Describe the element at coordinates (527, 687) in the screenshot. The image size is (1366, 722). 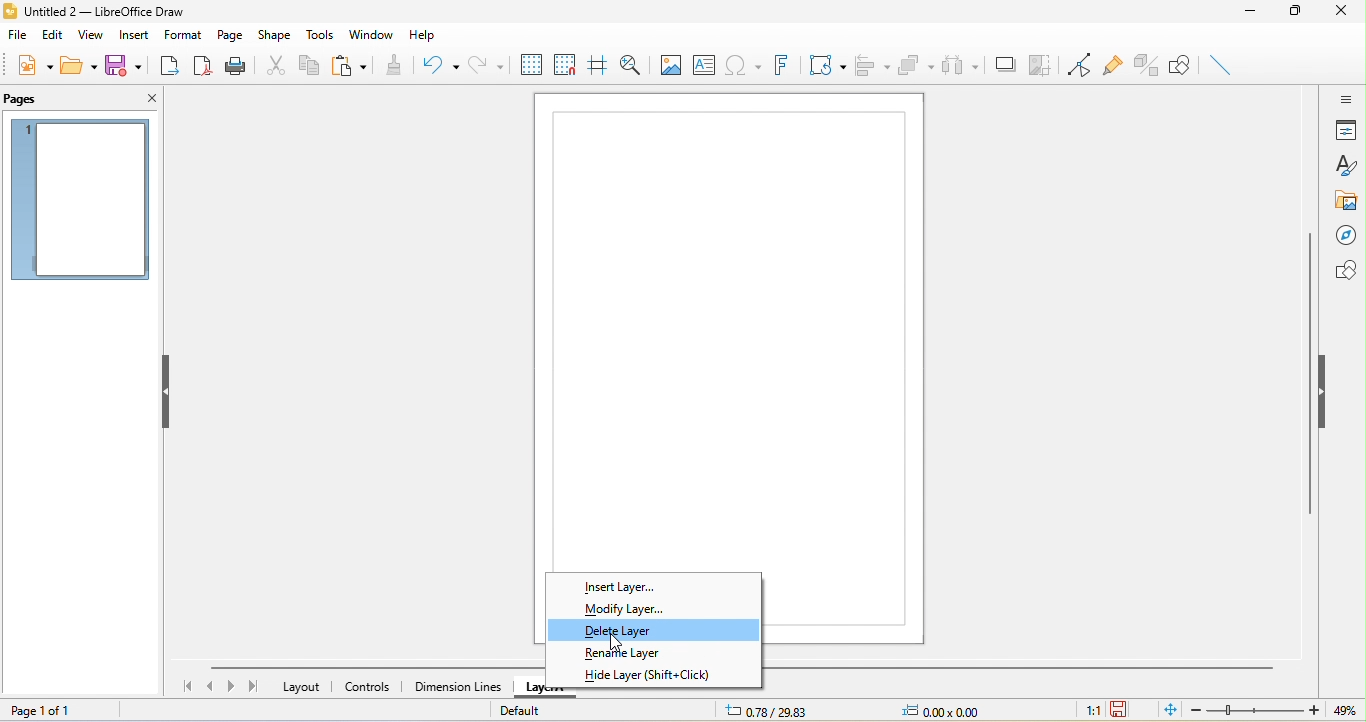
I see `layer` at that location.